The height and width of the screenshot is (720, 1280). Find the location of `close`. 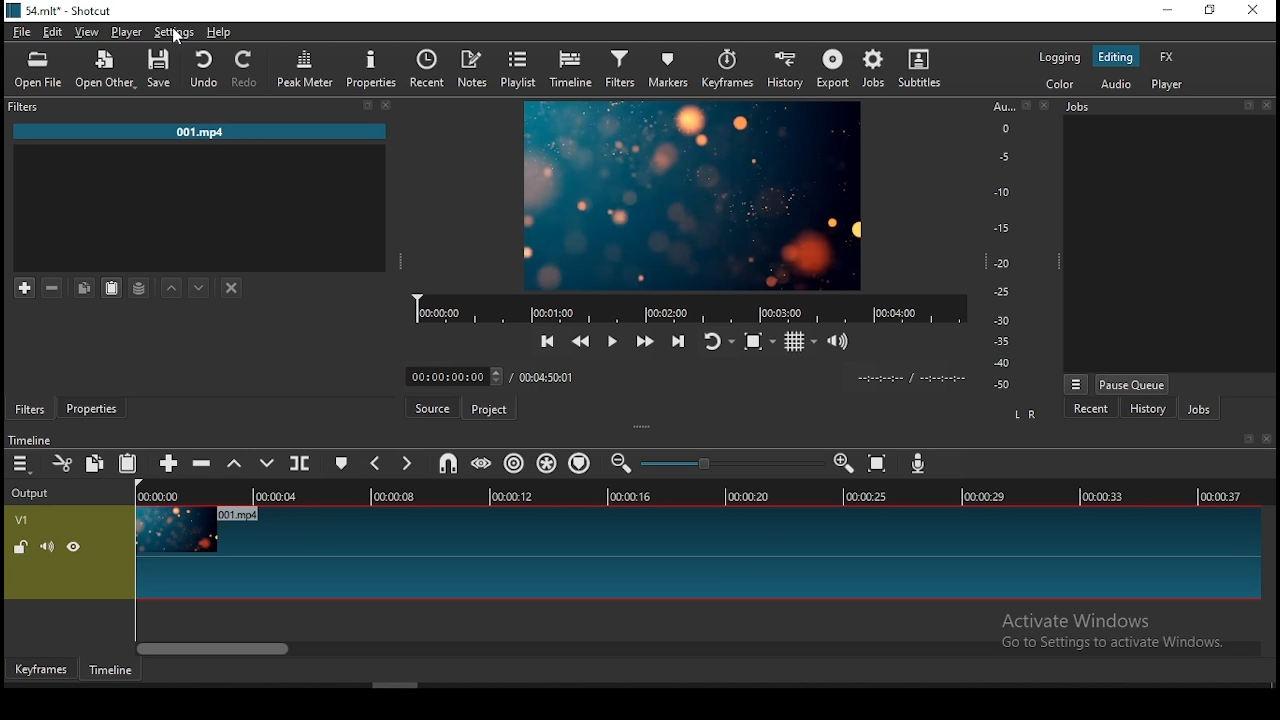

close is located at coordinates (387, 105).